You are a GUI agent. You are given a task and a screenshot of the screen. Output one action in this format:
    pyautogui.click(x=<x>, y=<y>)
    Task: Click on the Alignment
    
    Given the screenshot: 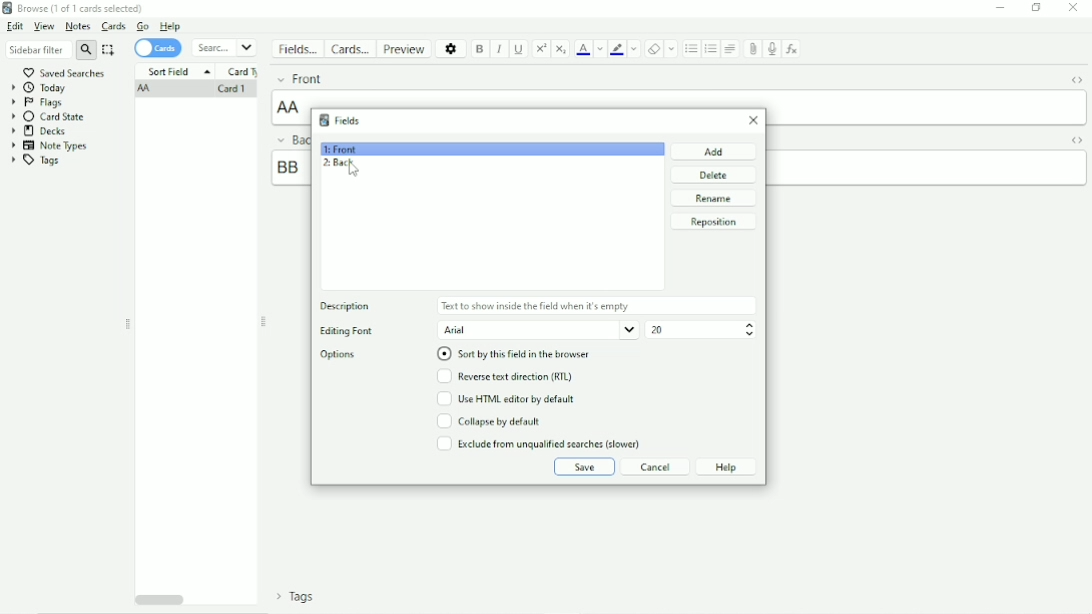 What is the action you would take?
    pyautogui.click(x=731, y=48)
    